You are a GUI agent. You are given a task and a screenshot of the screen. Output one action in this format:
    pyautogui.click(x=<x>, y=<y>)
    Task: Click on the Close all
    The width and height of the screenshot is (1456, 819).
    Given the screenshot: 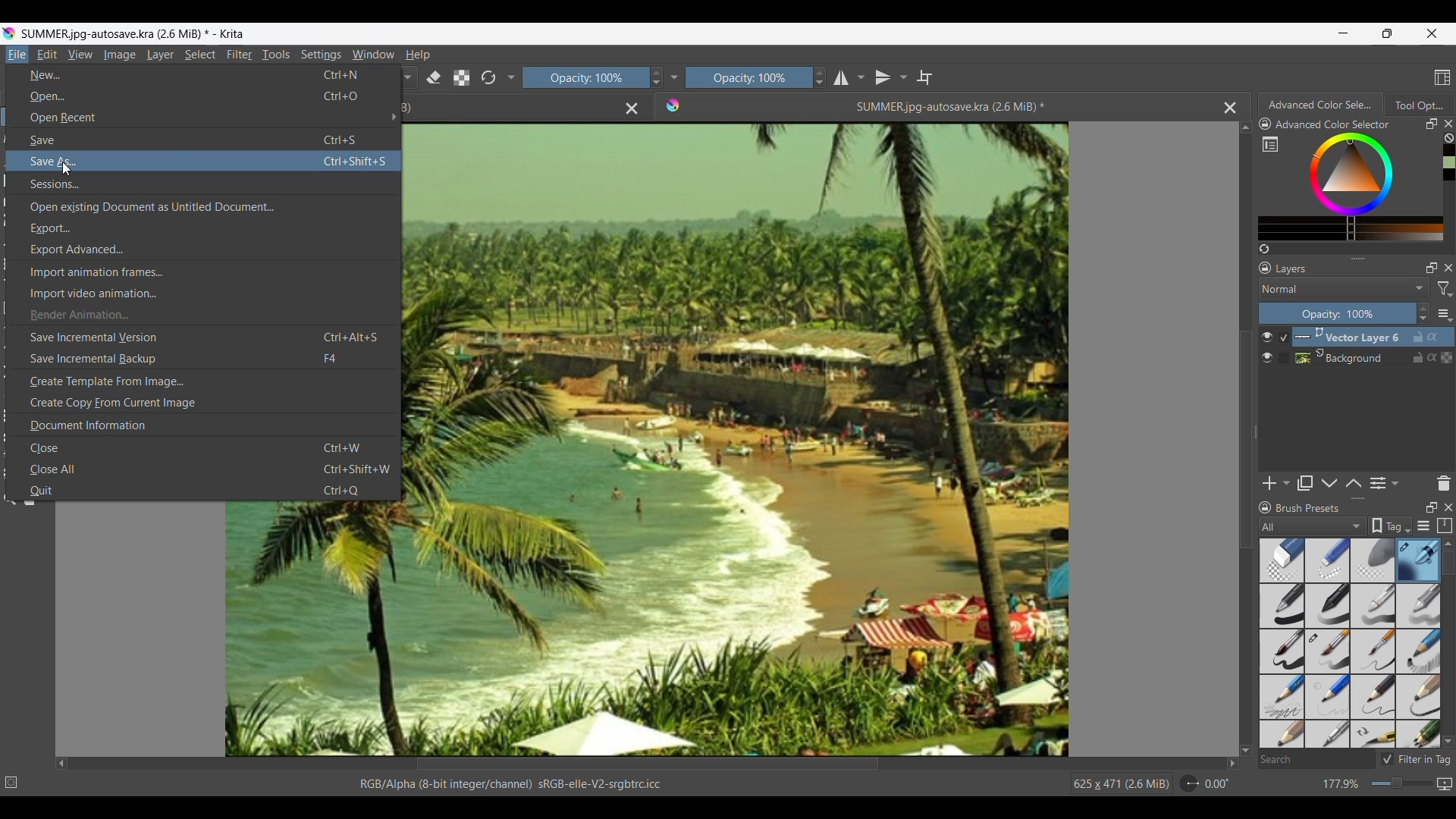 What is the action you would take?
    pyautogui.click(x=203, y=469)
    